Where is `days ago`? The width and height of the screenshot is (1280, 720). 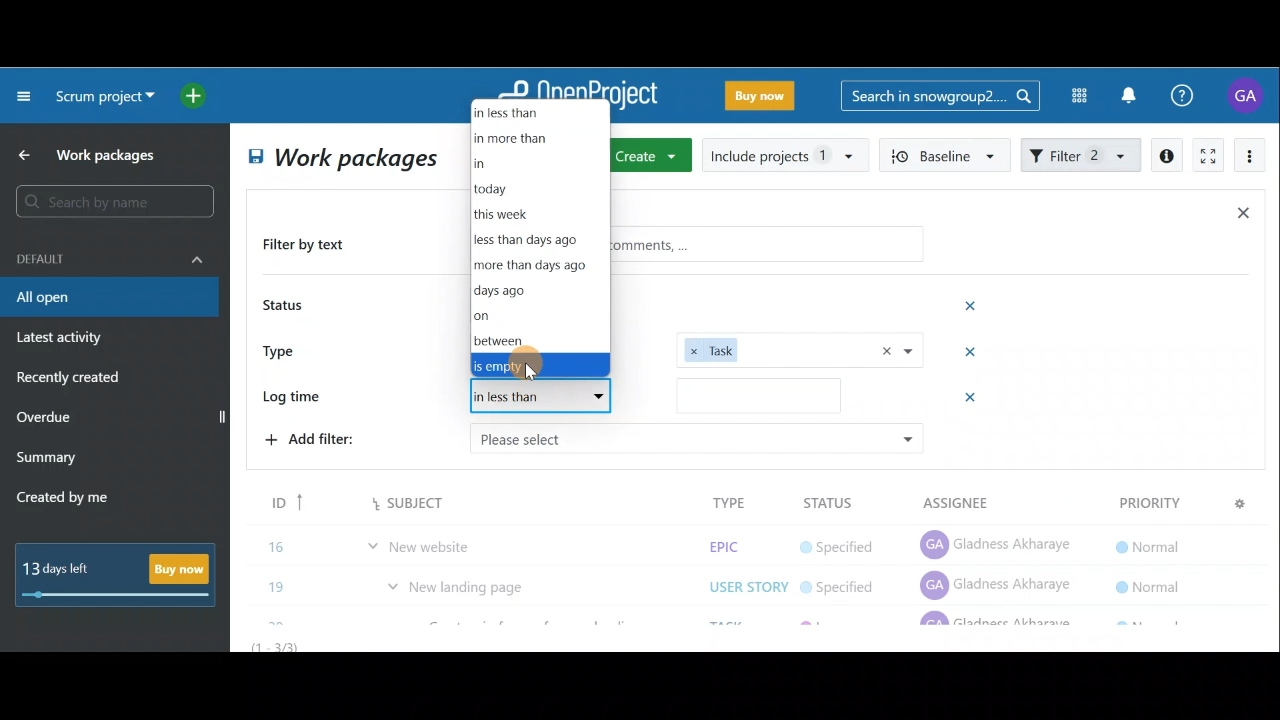
days ago is located at coordinates (535, 290).